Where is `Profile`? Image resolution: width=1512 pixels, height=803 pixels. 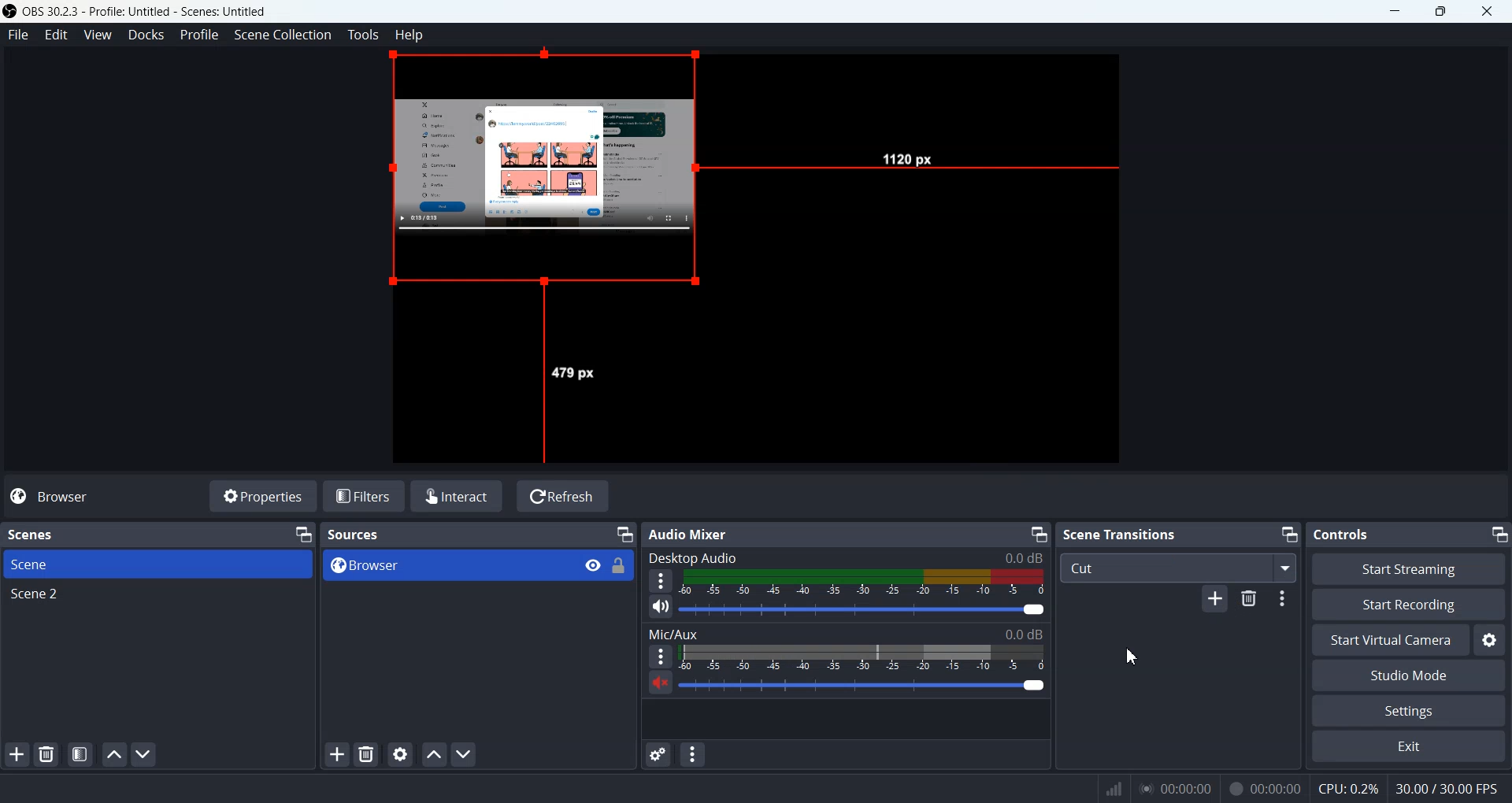 Profile is located at coordinates (200, 35).